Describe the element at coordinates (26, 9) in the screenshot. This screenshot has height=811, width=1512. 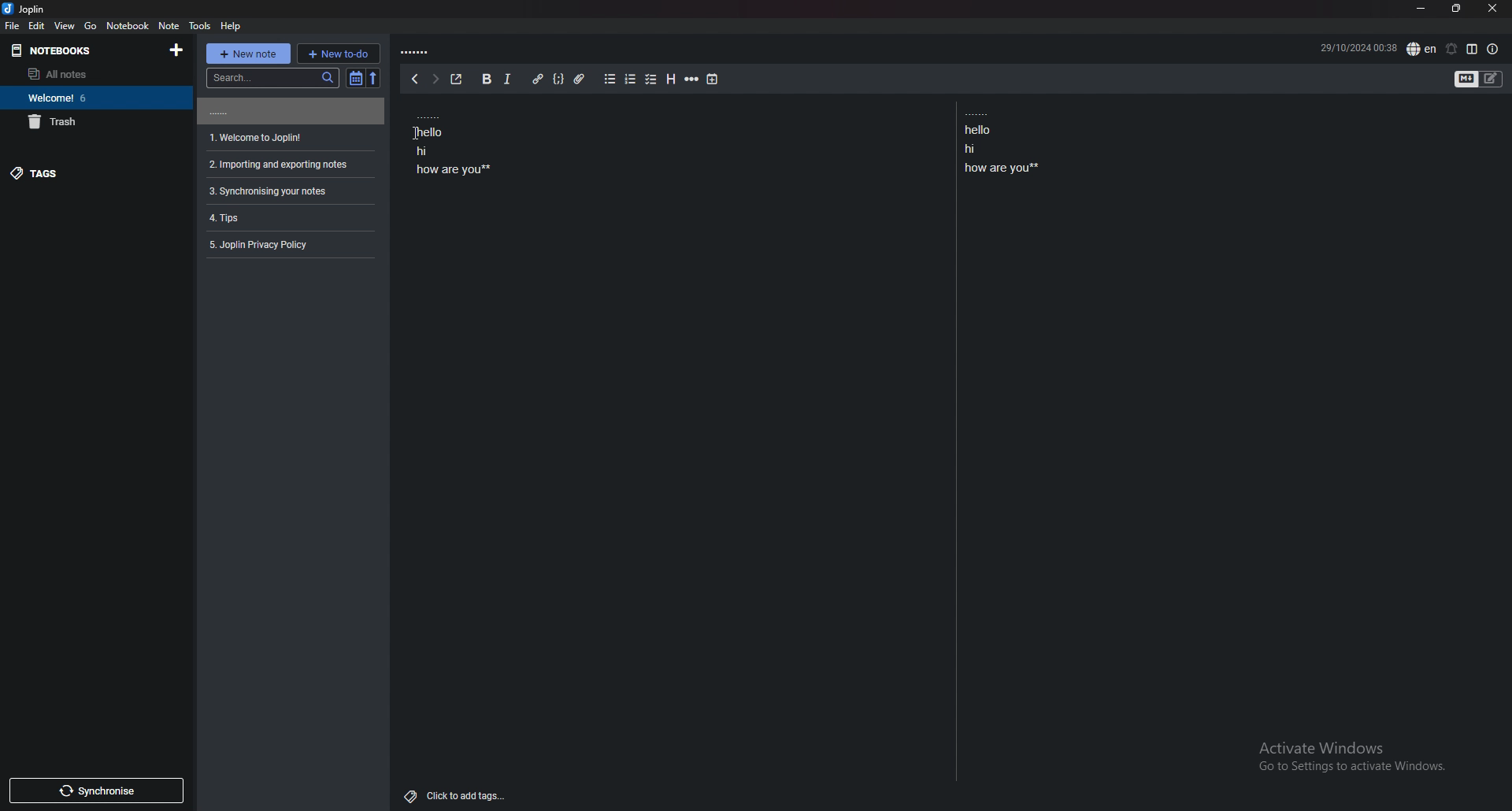
I see `joplin` at that location.